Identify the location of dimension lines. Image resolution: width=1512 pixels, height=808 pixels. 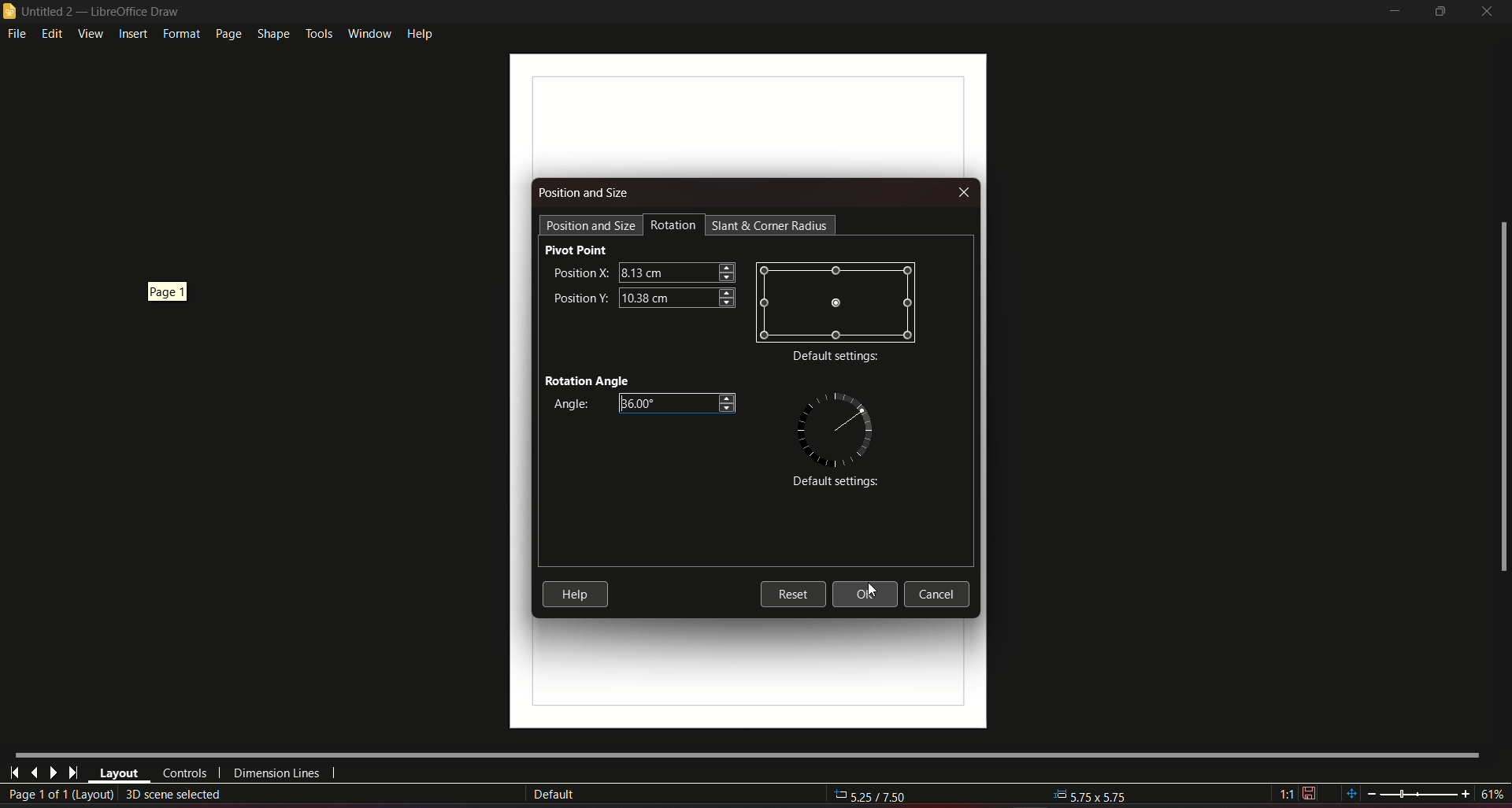
(277, 776).